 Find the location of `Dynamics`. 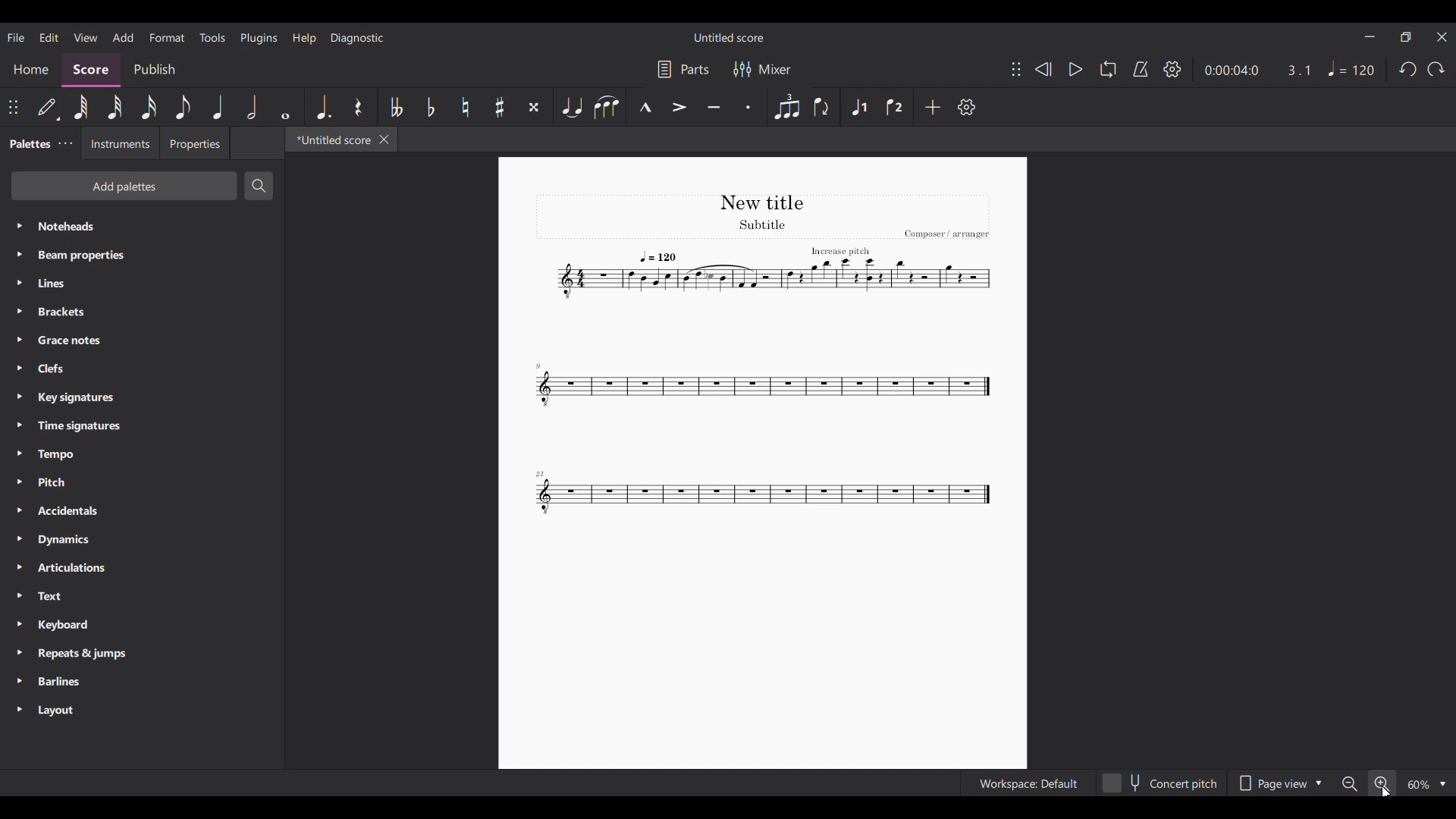

Dynamics is located at coordinates (143, 540).